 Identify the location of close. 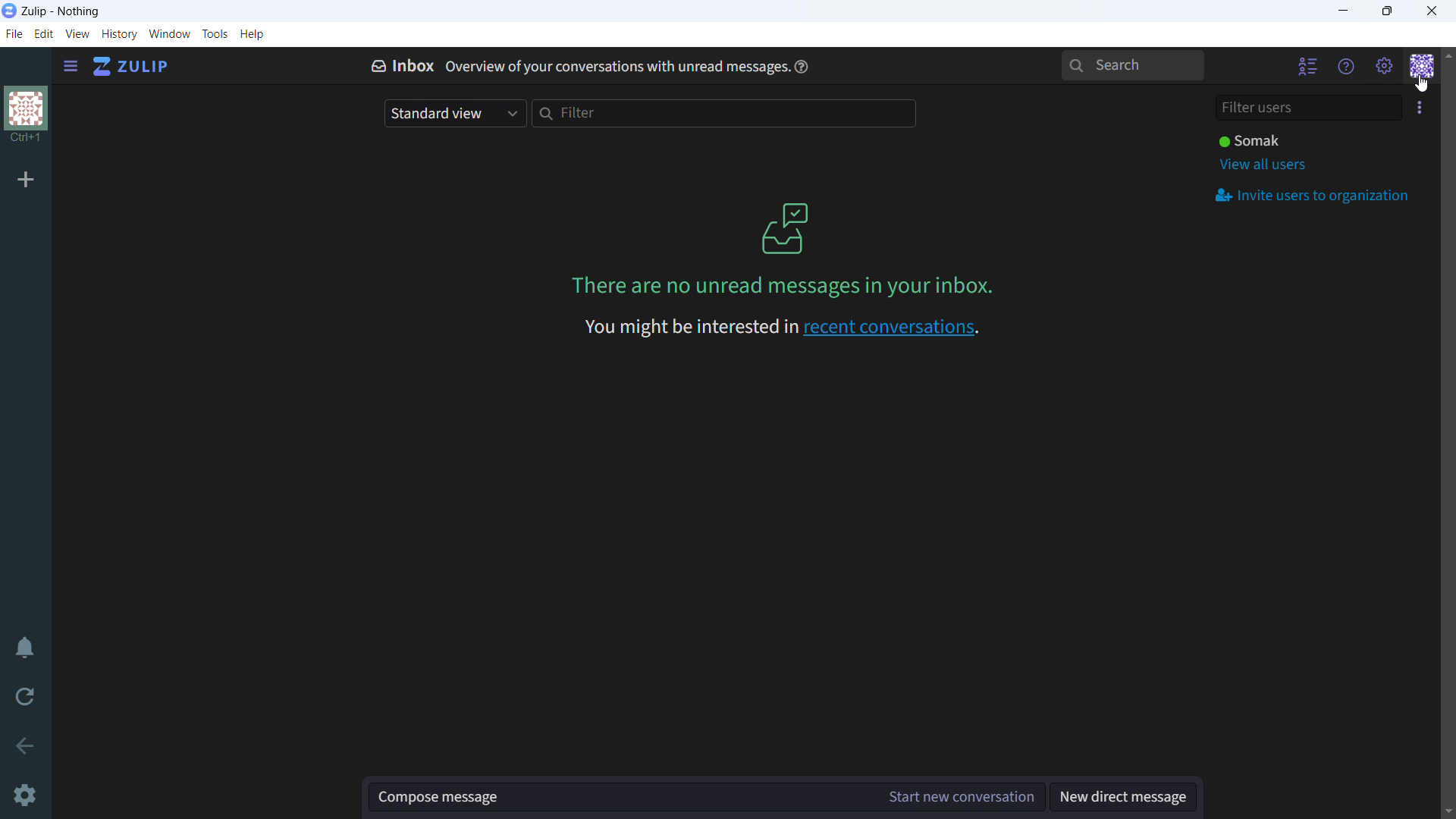
(1432, 11).